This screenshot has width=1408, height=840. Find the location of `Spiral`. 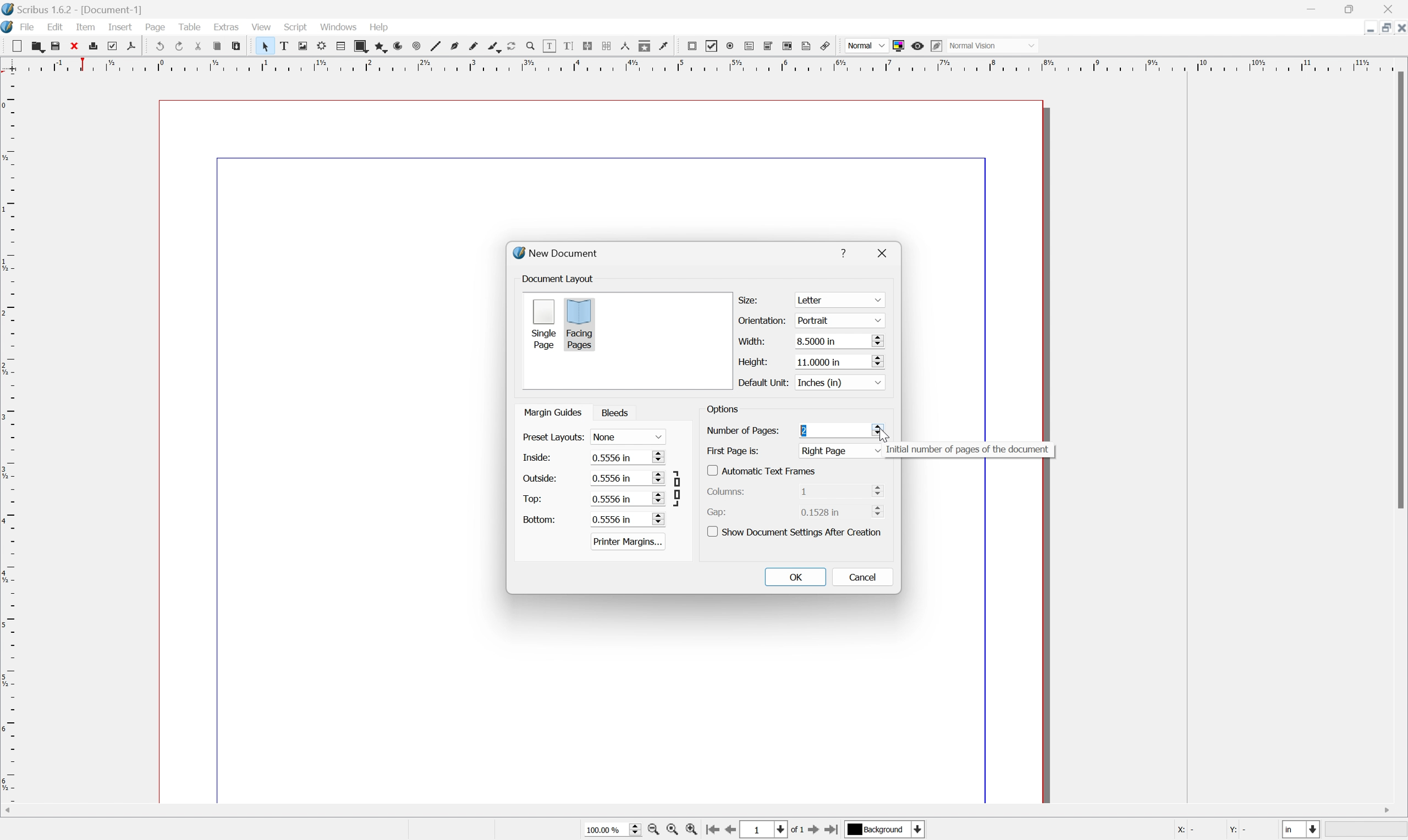

Spiral is located at coordinates (415, 46).